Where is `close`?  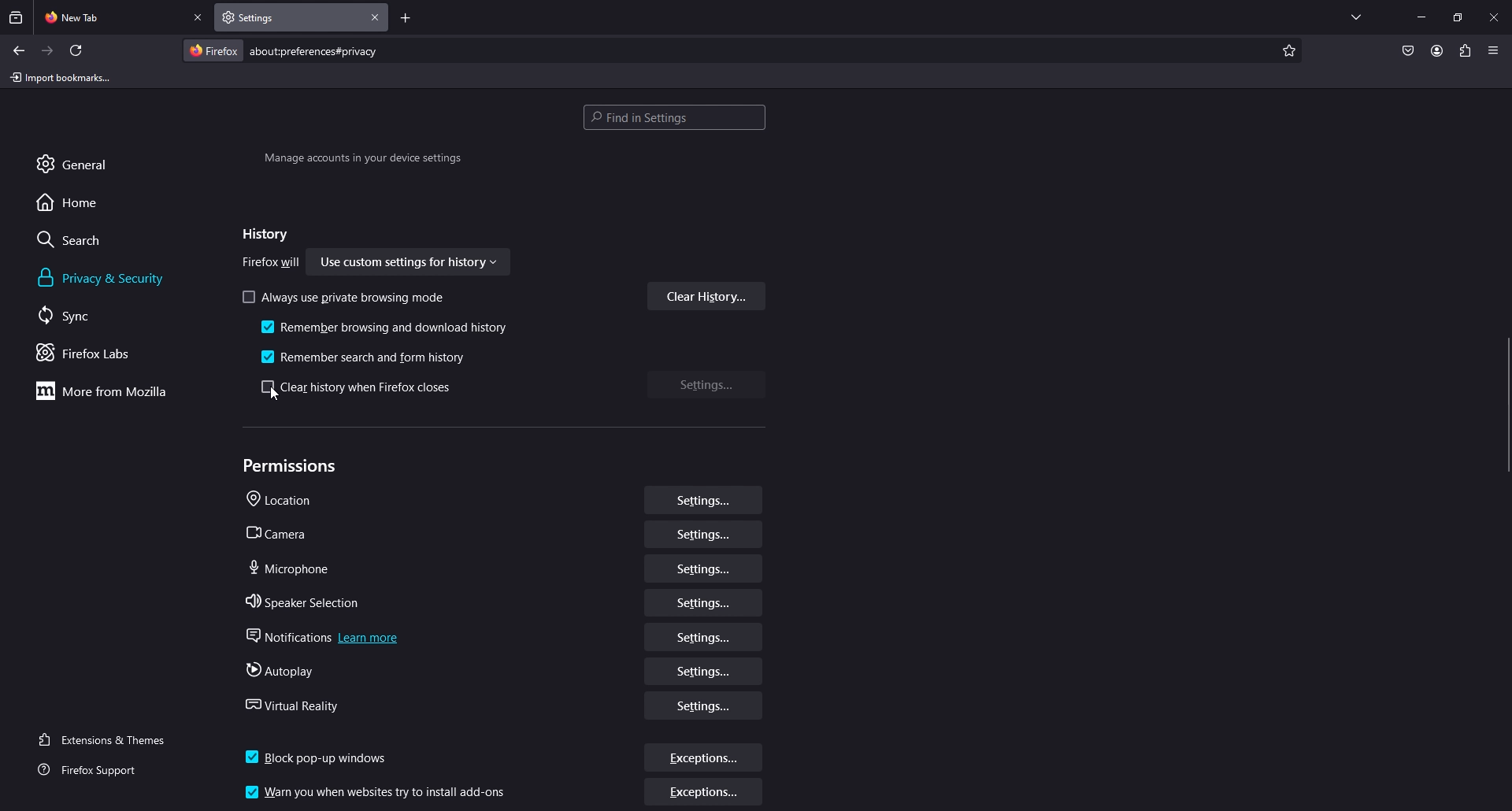
close is located at coordinates (1495, 16).